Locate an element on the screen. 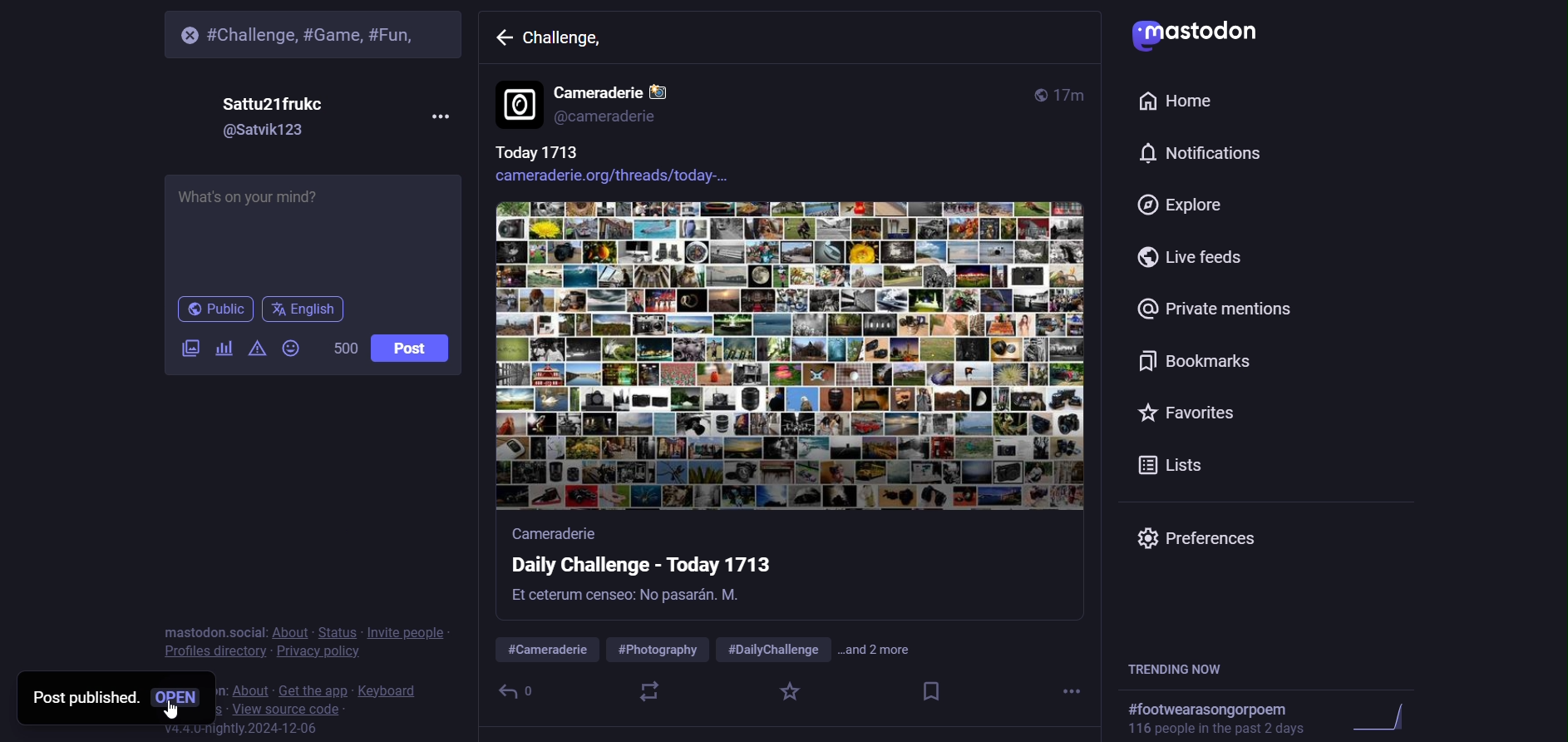 Image resolution: width=1568 pixels, height=742 pixels. profile directorie is located at coordinates (214, 651).